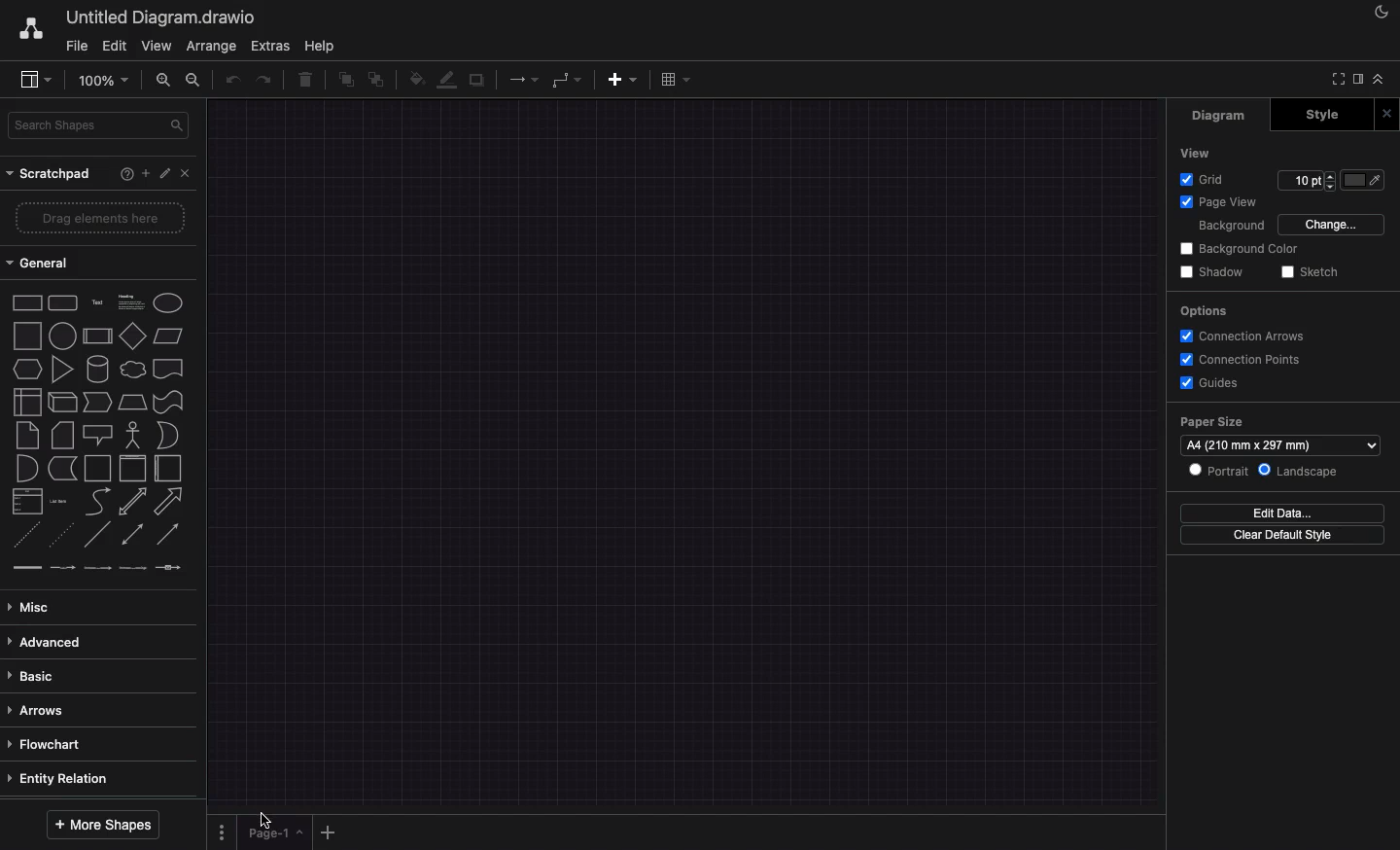 This screenshot has width=1400, height=850. Describe the element at coordinates (1193, 155) in the screenshot. I see `view` at that location.